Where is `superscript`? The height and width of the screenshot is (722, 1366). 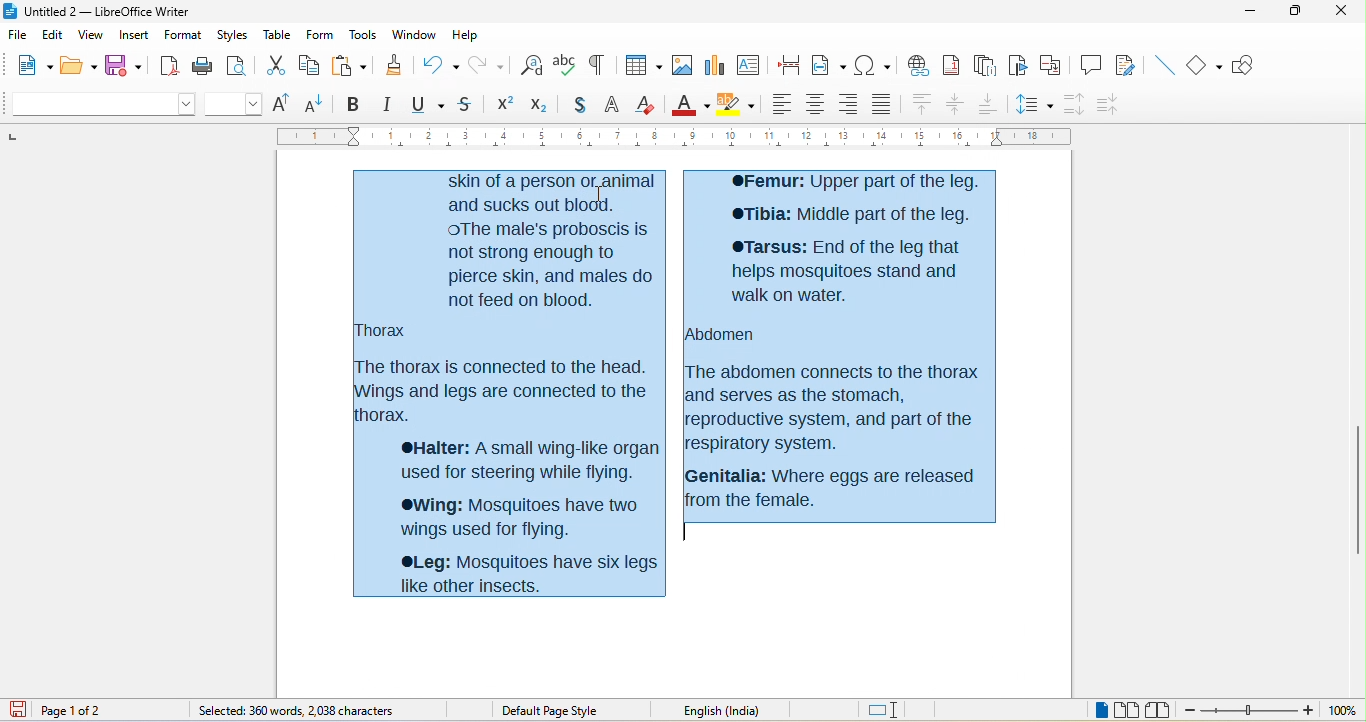 superscript is located at coordinates (506, 104).